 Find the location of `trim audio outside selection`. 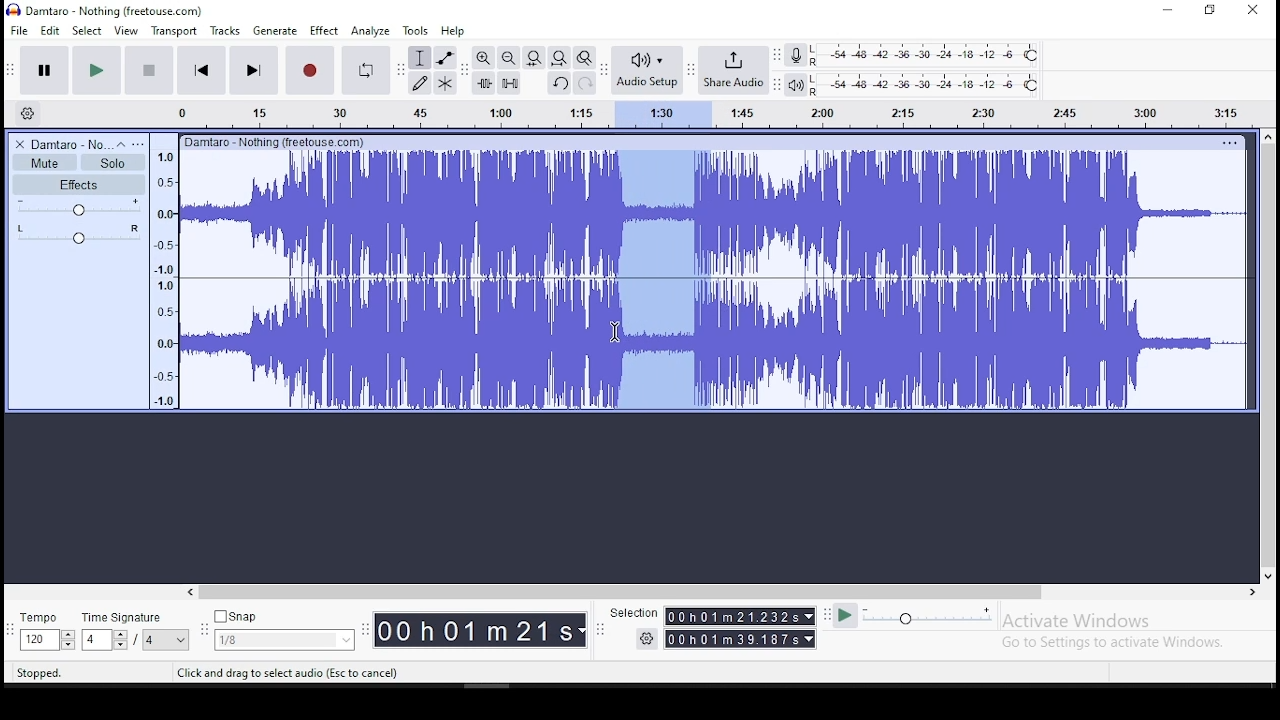

trim audio outside selection is located at coordinates (485, 83).